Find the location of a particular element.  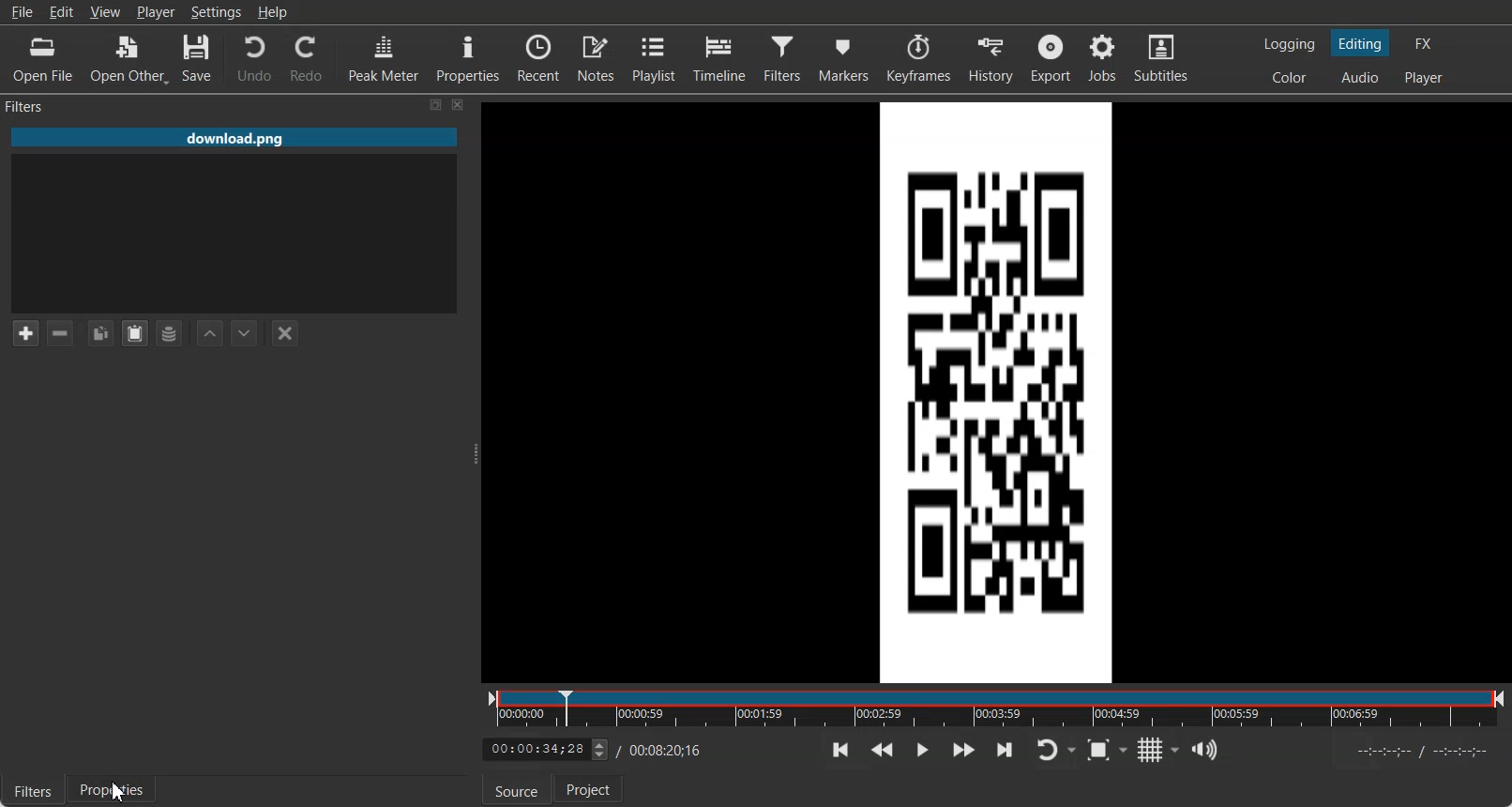

Play quickly backward is located at coordinates (883, 749).